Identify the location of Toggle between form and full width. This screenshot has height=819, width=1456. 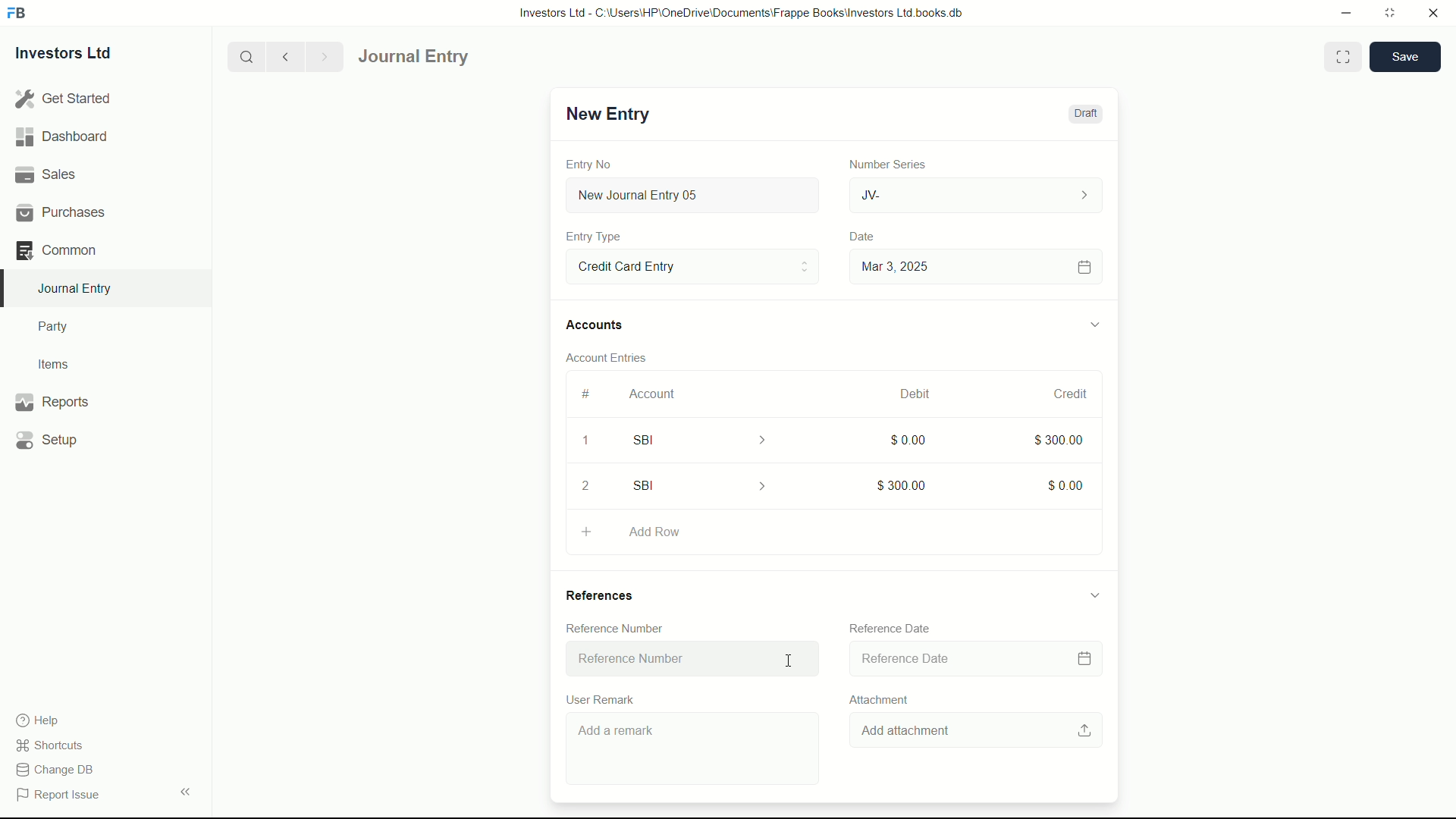
(1344, 57).